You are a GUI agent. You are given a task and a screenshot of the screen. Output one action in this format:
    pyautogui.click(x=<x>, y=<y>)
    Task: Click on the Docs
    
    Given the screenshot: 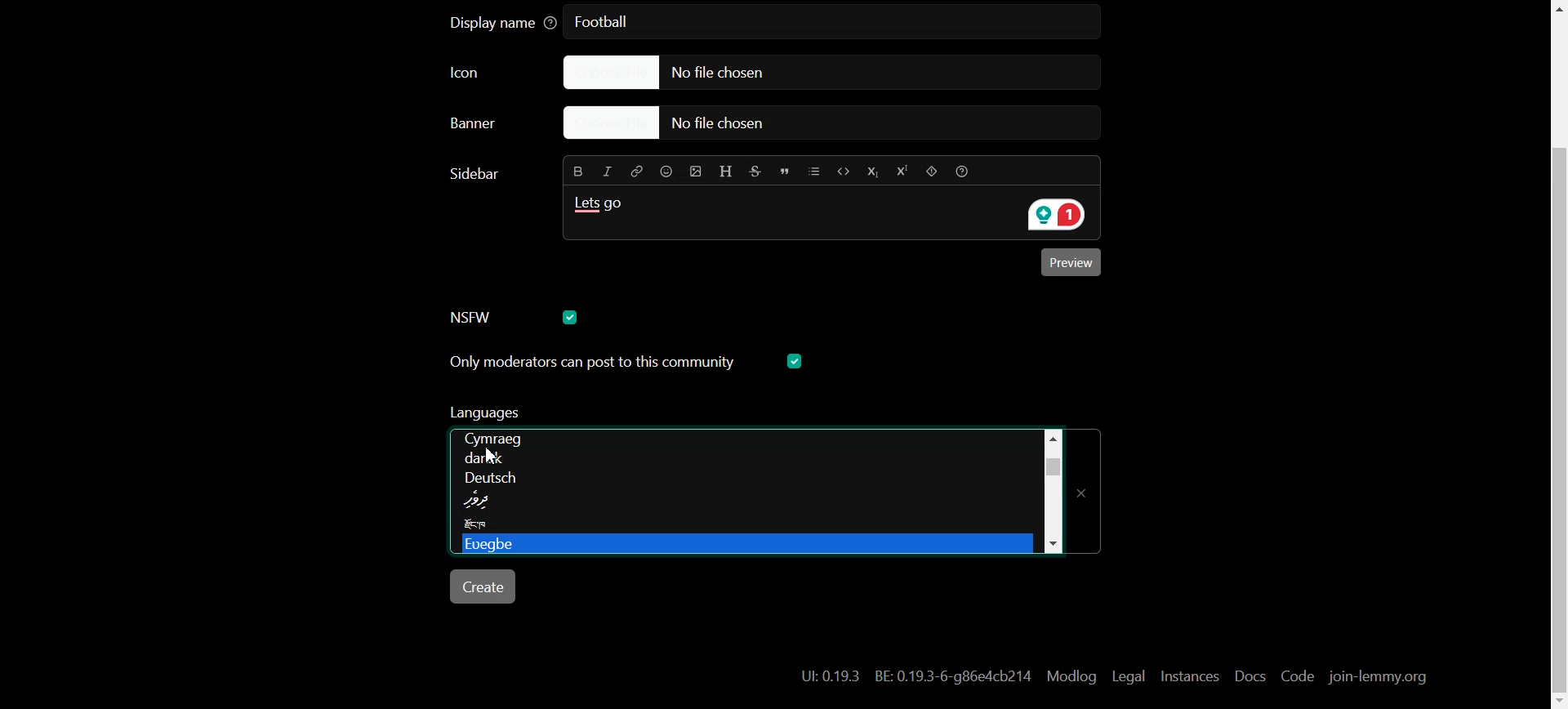 What is the action you would take?
    pyautogui.click(x=1248, y=676)
    